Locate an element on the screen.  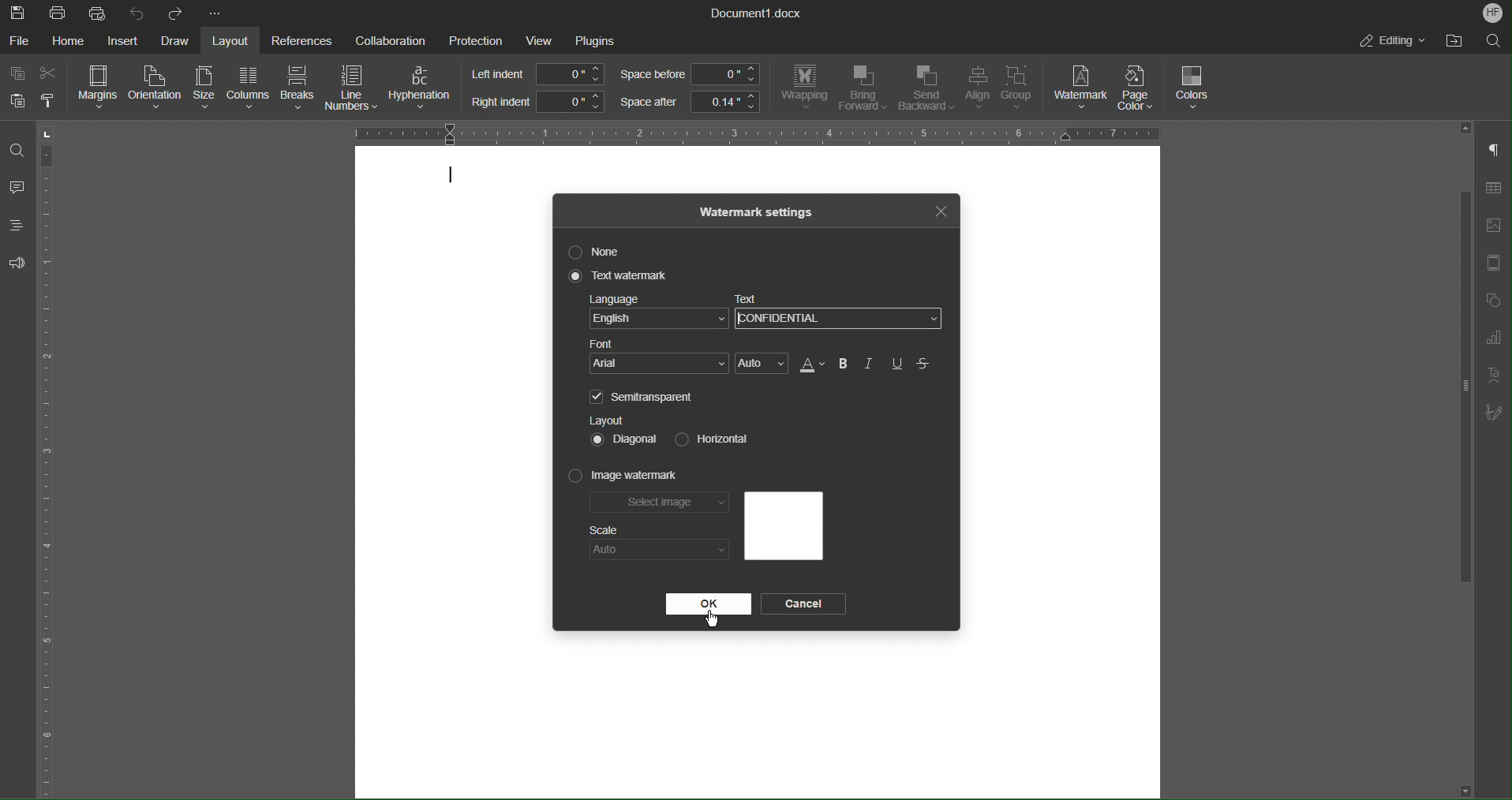
Font is located at coordinates (661, 357).